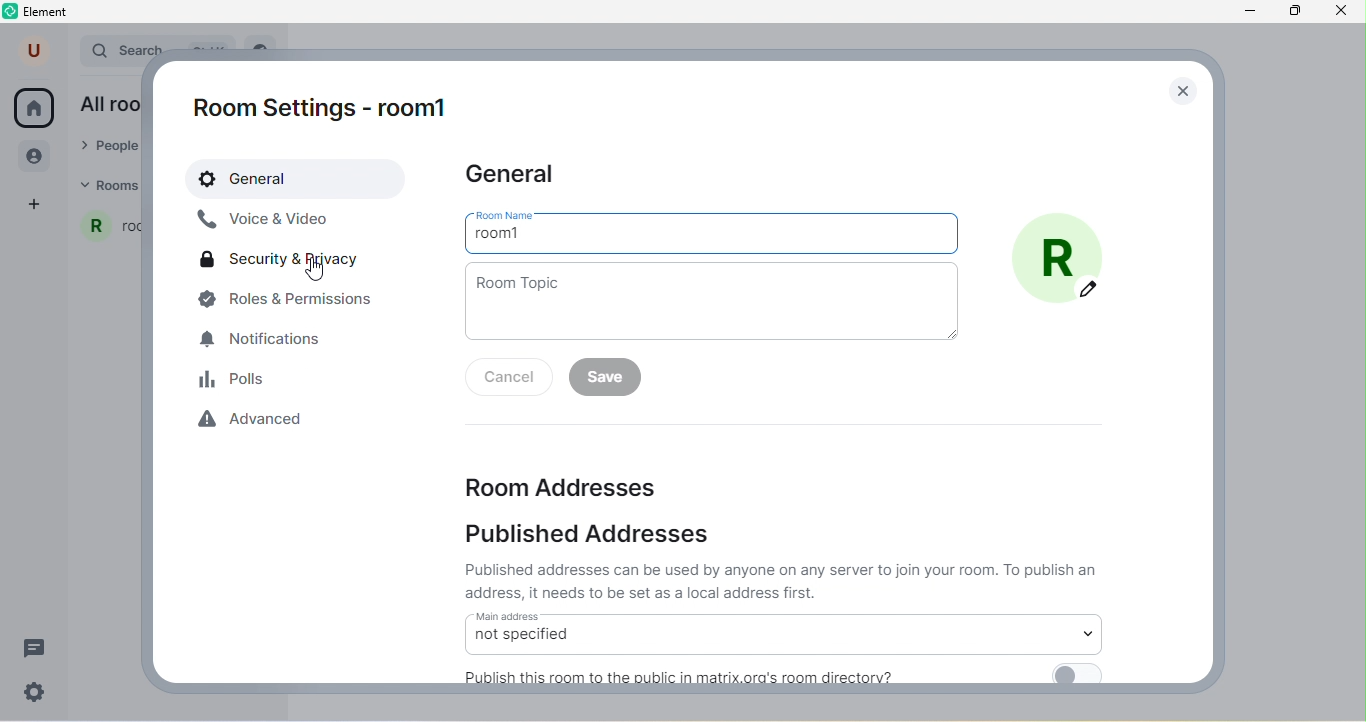  I want to click on quick settings, so click(41, 693).